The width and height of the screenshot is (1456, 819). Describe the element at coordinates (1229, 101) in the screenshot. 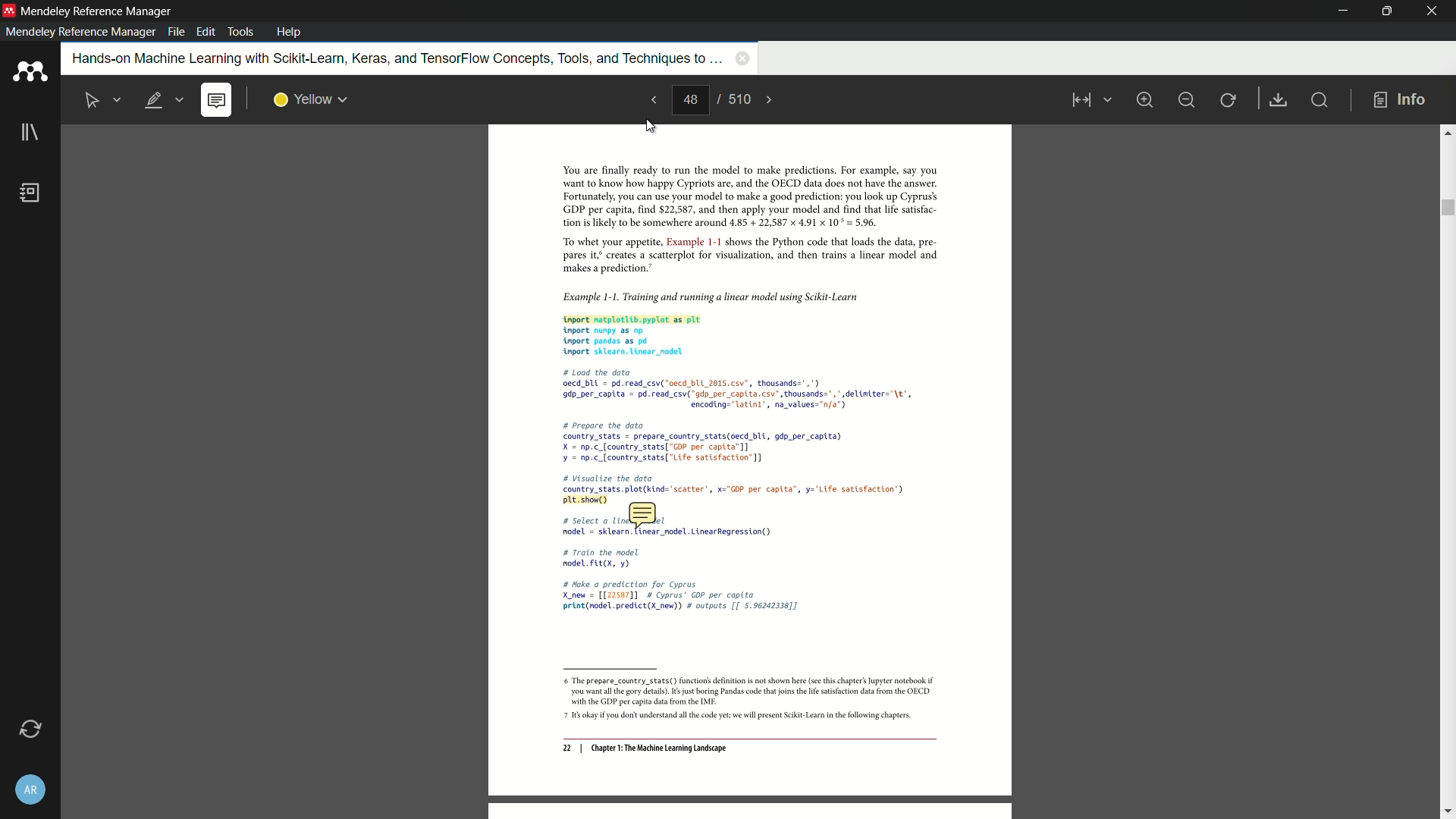

I see `rotate` at that location.